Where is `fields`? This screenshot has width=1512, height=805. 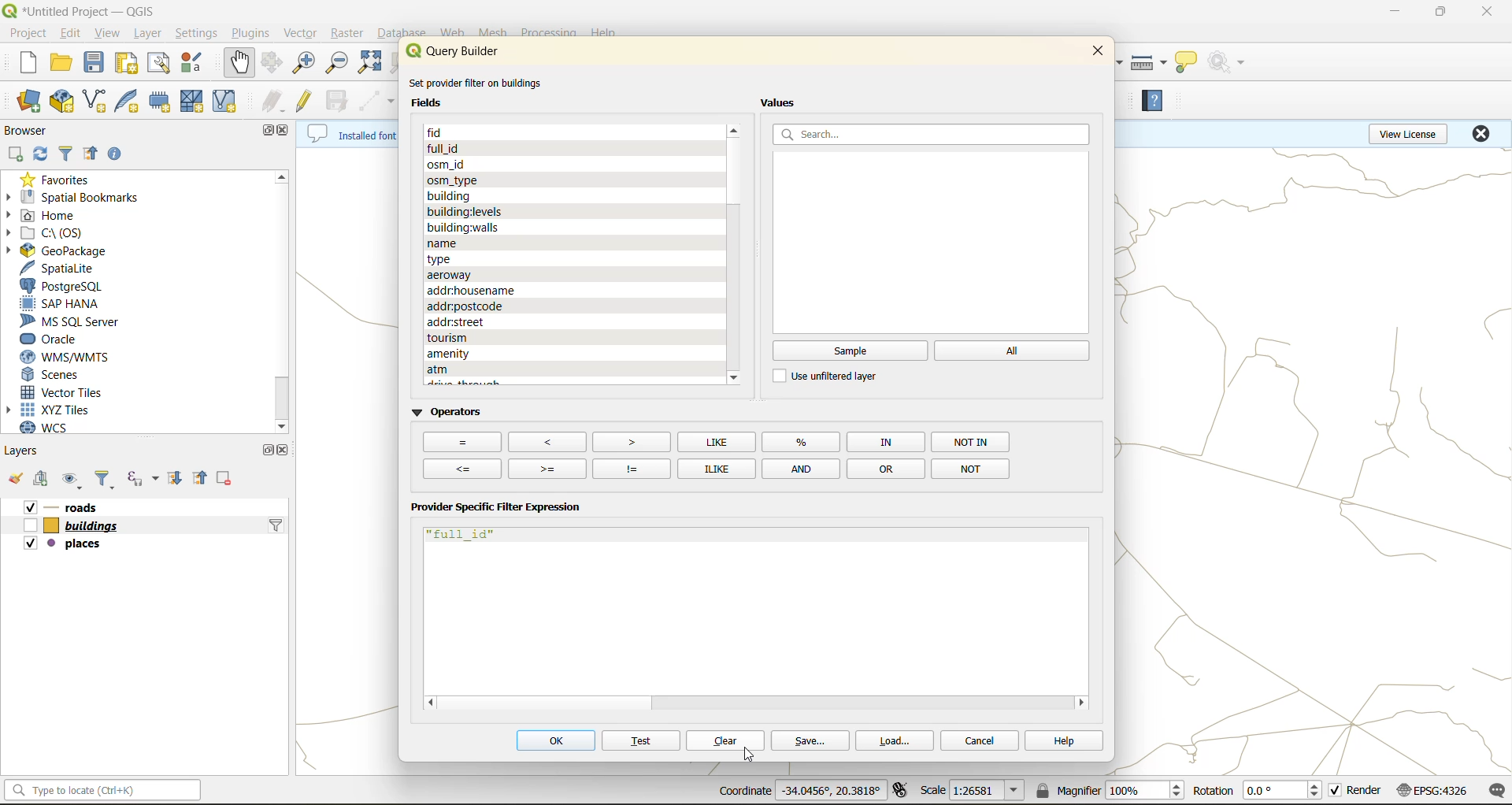
fields is located at coordinates (491, 339).